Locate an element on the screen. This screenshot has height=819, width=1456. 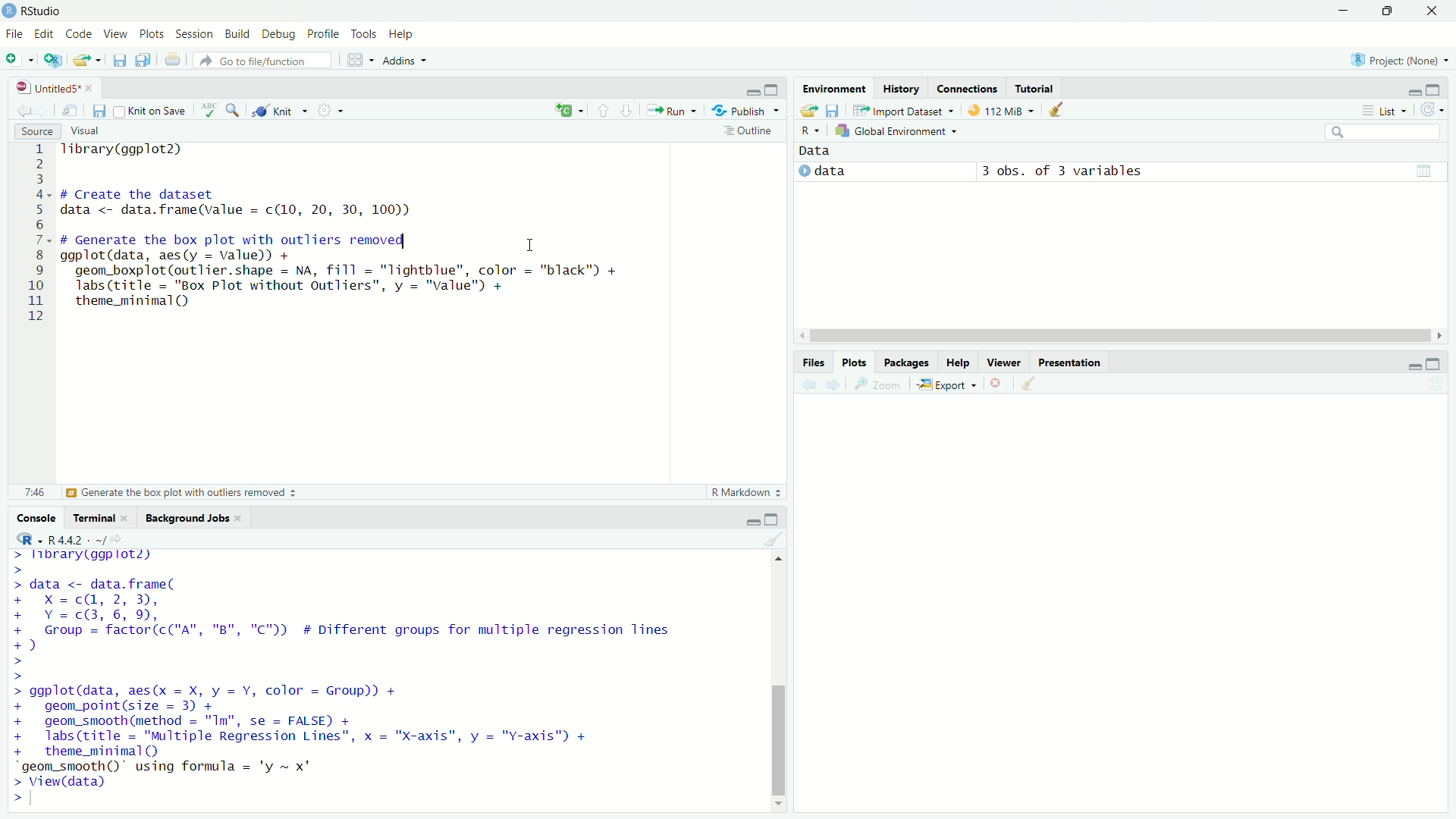
maximise is located at coordinates (1435, 366).